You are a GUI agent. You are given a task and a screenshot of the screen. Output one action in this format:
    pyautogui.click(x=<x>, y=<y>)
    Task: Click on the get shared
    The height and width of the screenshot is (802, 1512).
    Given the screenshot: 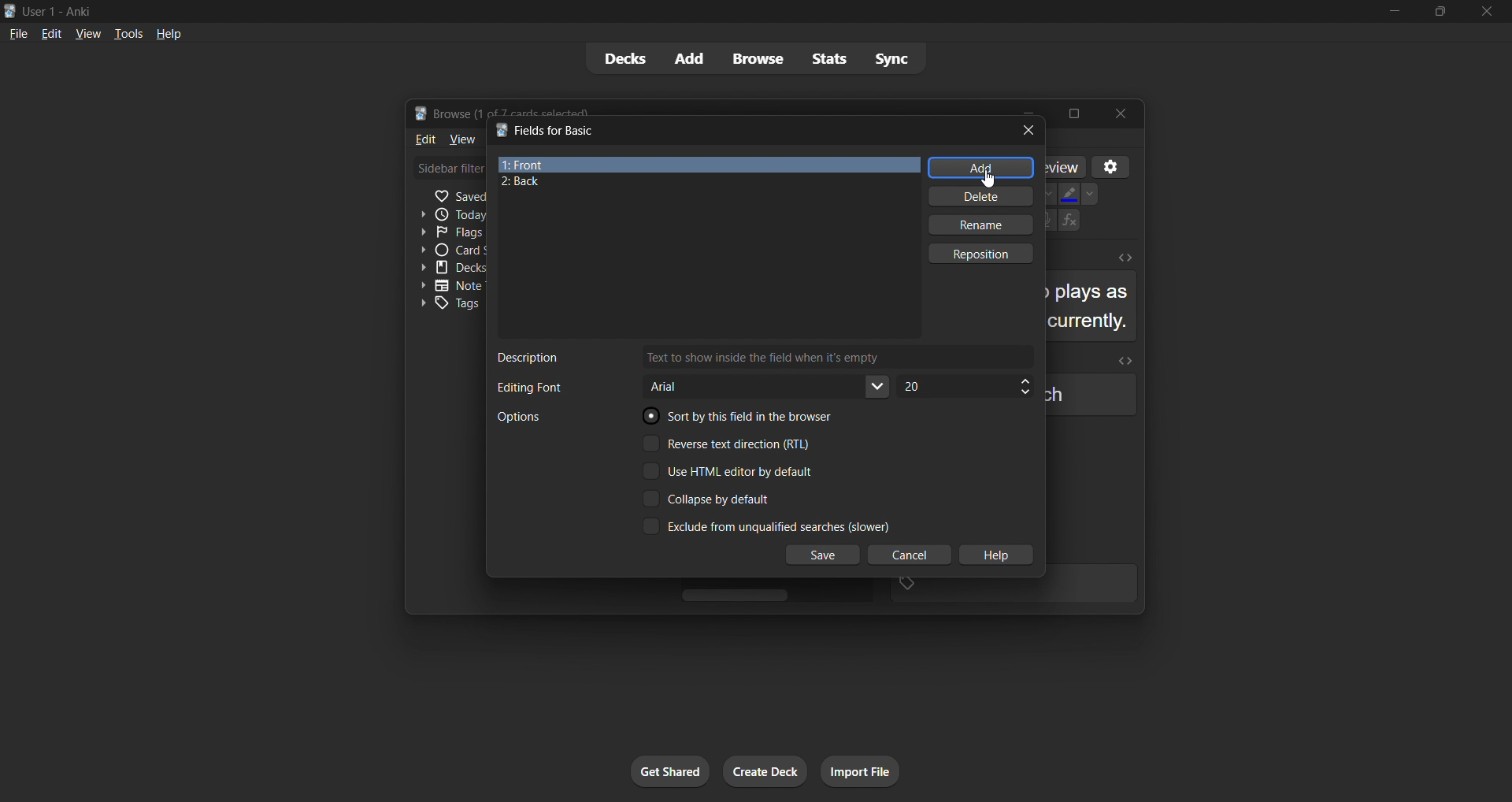 What is the action you would take?
    pyautogui.click(x=666, y=771)
    